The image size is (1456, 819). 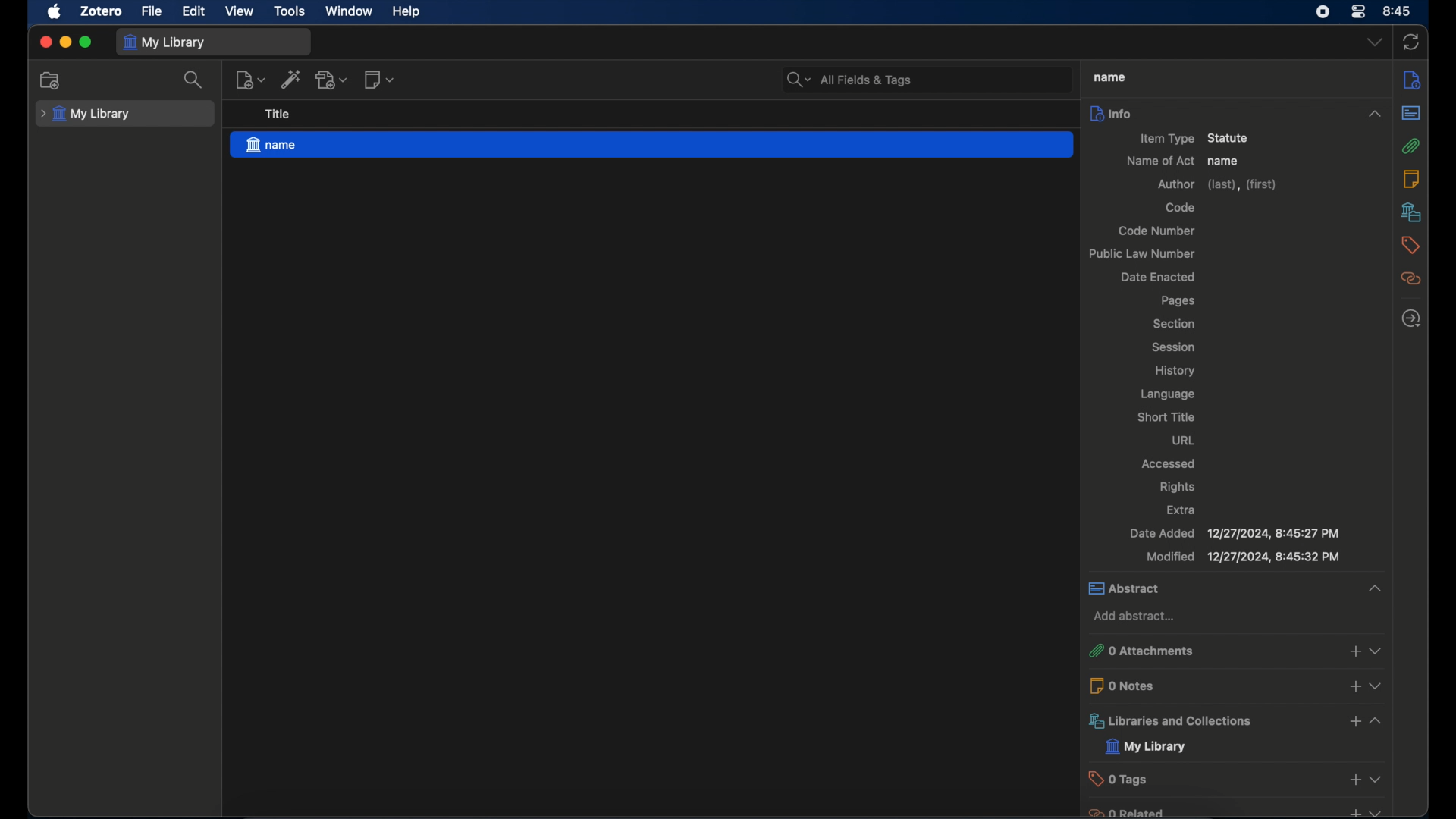 What do you see at coordinates (1377, 723) in the screenshot?
I see `dropdown` at bounding box center [1377, 723].